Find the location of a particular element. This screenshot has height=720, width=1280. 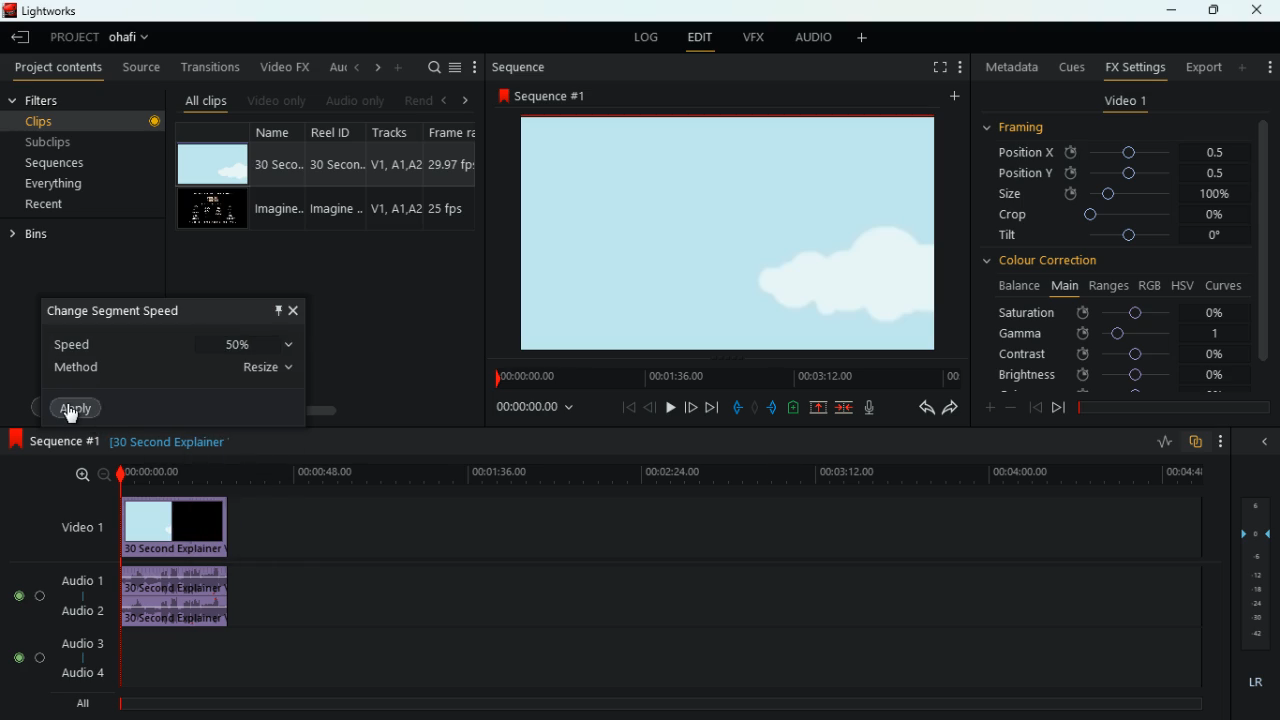

name is located at coordinates (276, 177).